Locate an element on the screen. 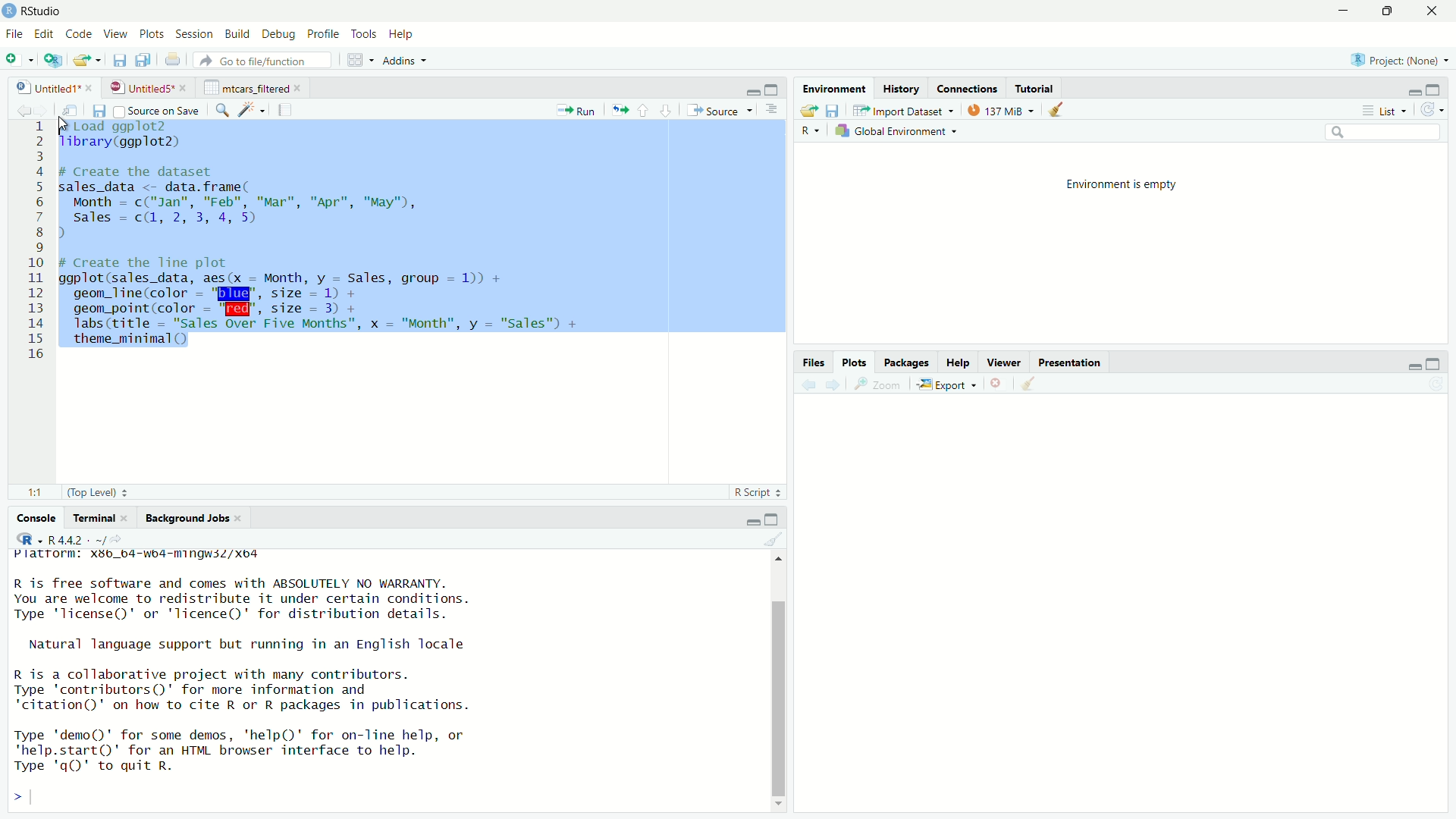 This screenshot has width=1456, height=819. file is located at coordinates (15, 34).